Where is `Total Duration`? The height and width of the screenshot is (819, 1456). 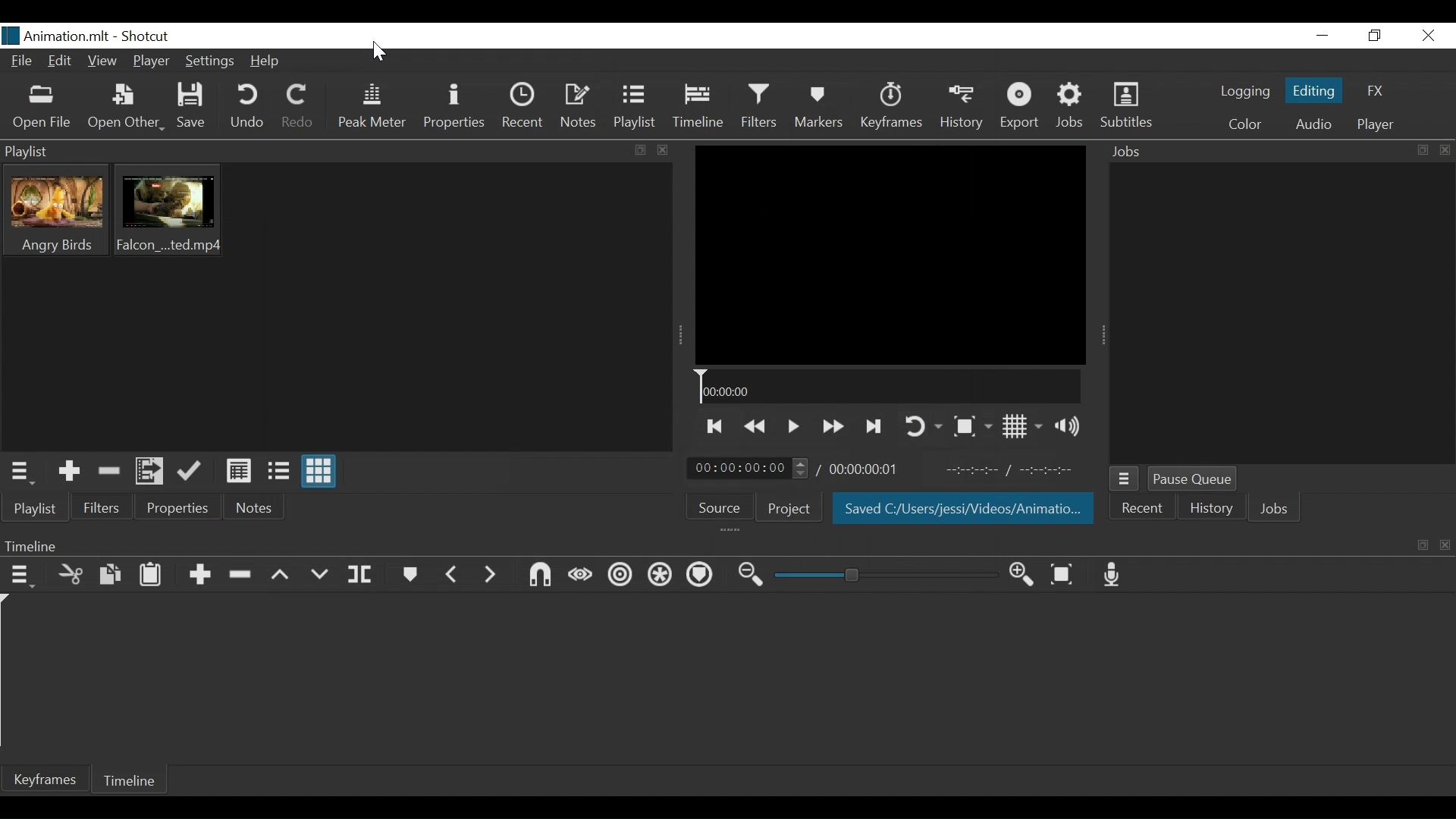 Total Duration is located at coordinates (873, 469).